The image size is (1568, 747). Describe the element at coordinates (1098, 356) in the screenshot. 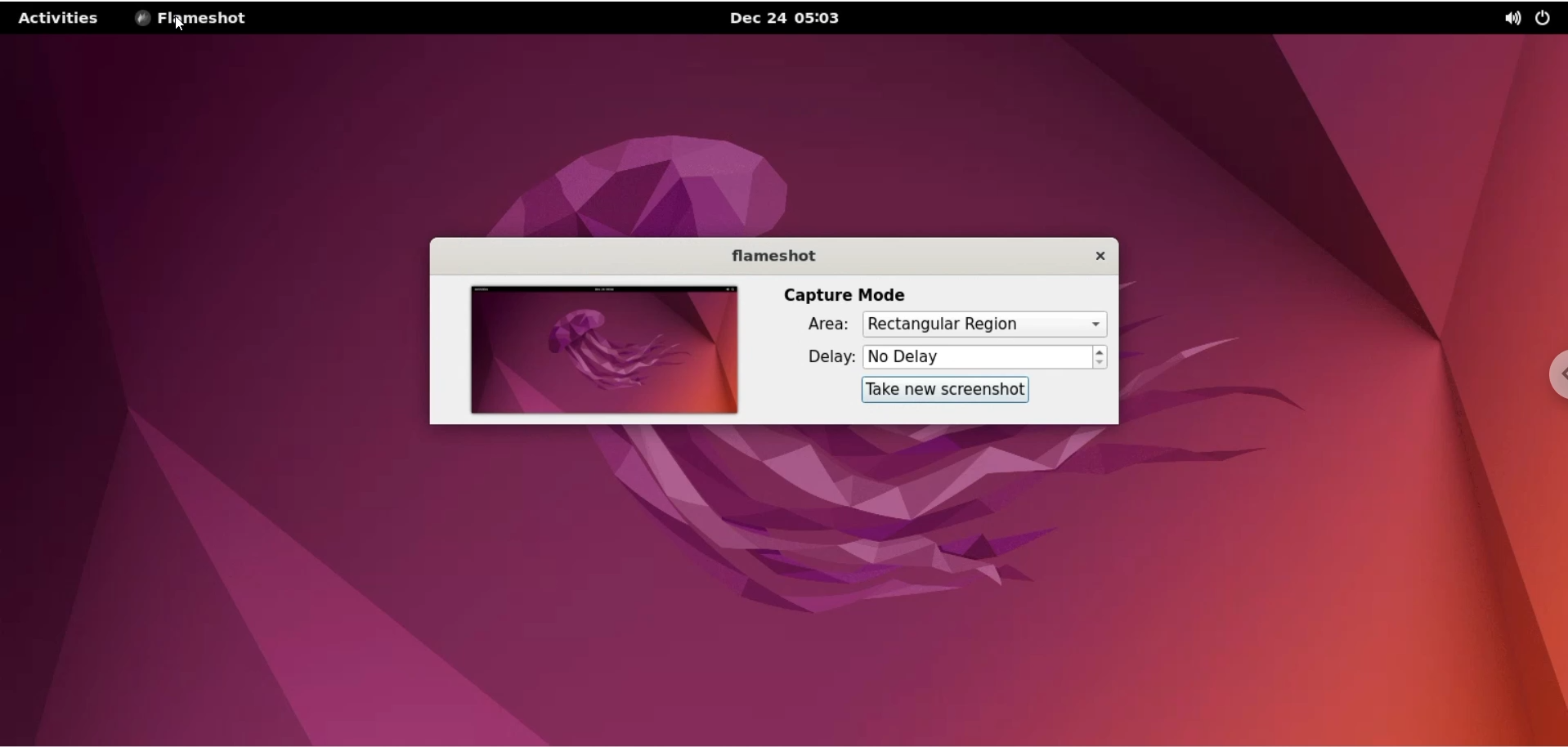

I see `increment or decrement delay` at that location.